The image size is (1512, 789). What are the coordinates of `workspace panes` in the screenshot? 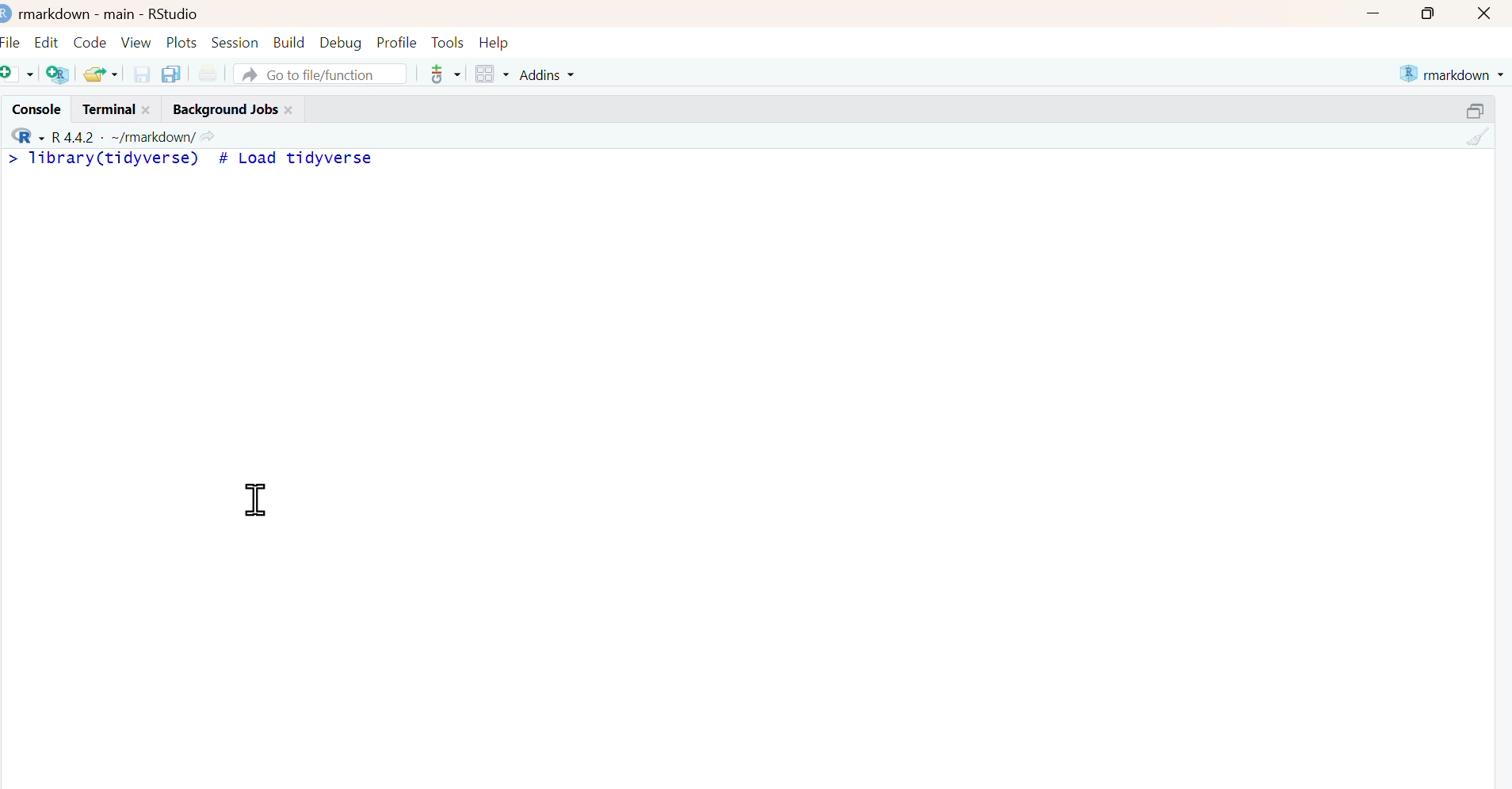 It's located at (492, 74).